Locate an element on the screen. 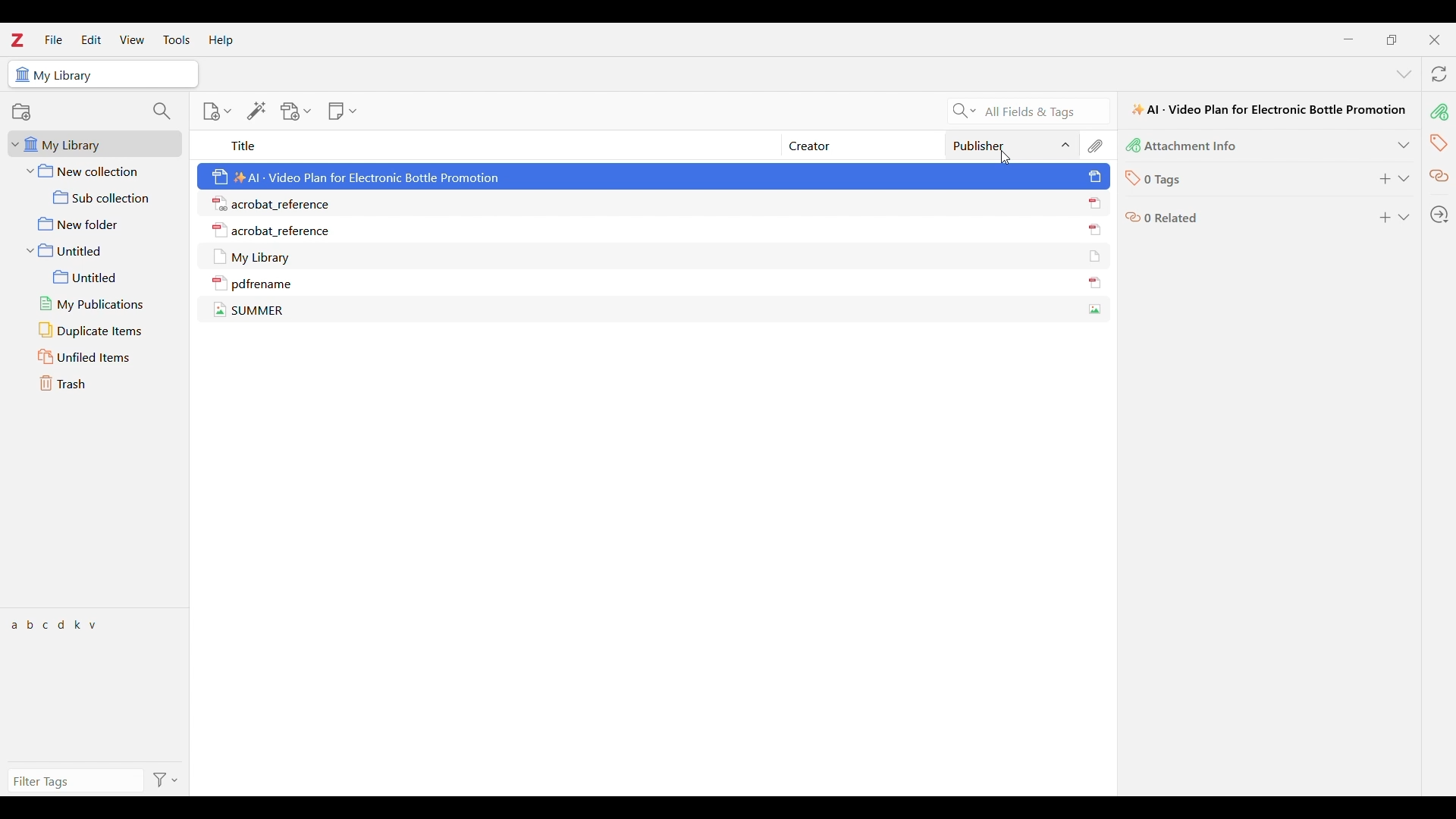  icon is located at coordinates (1133, 147).